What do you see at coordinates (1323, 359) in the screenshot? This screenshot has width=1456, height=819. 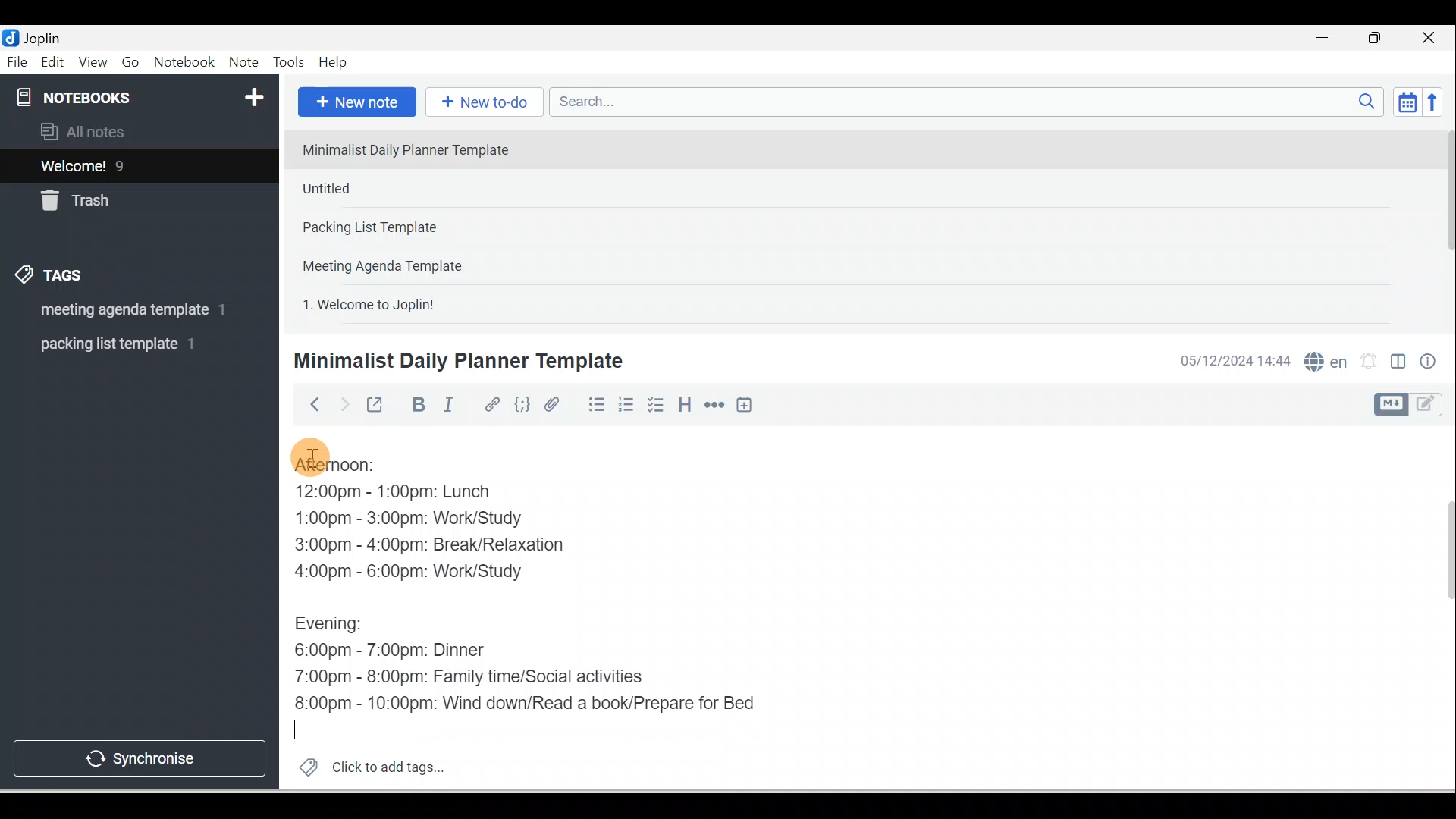 I see `Spelling` at bounding box center [1323, 359].